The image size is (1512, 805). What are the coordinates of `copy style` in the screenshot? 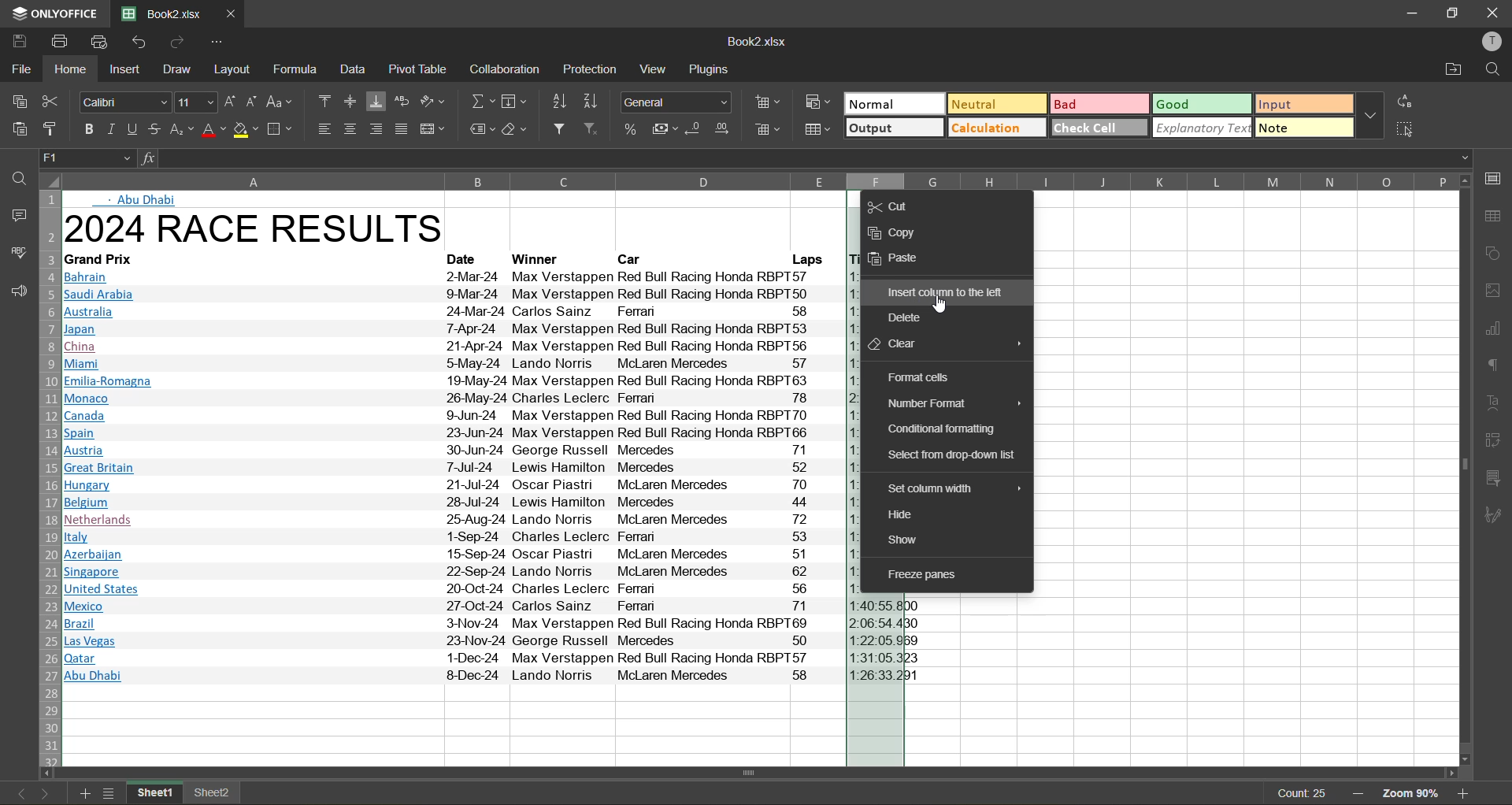 It's located at (51, 129).